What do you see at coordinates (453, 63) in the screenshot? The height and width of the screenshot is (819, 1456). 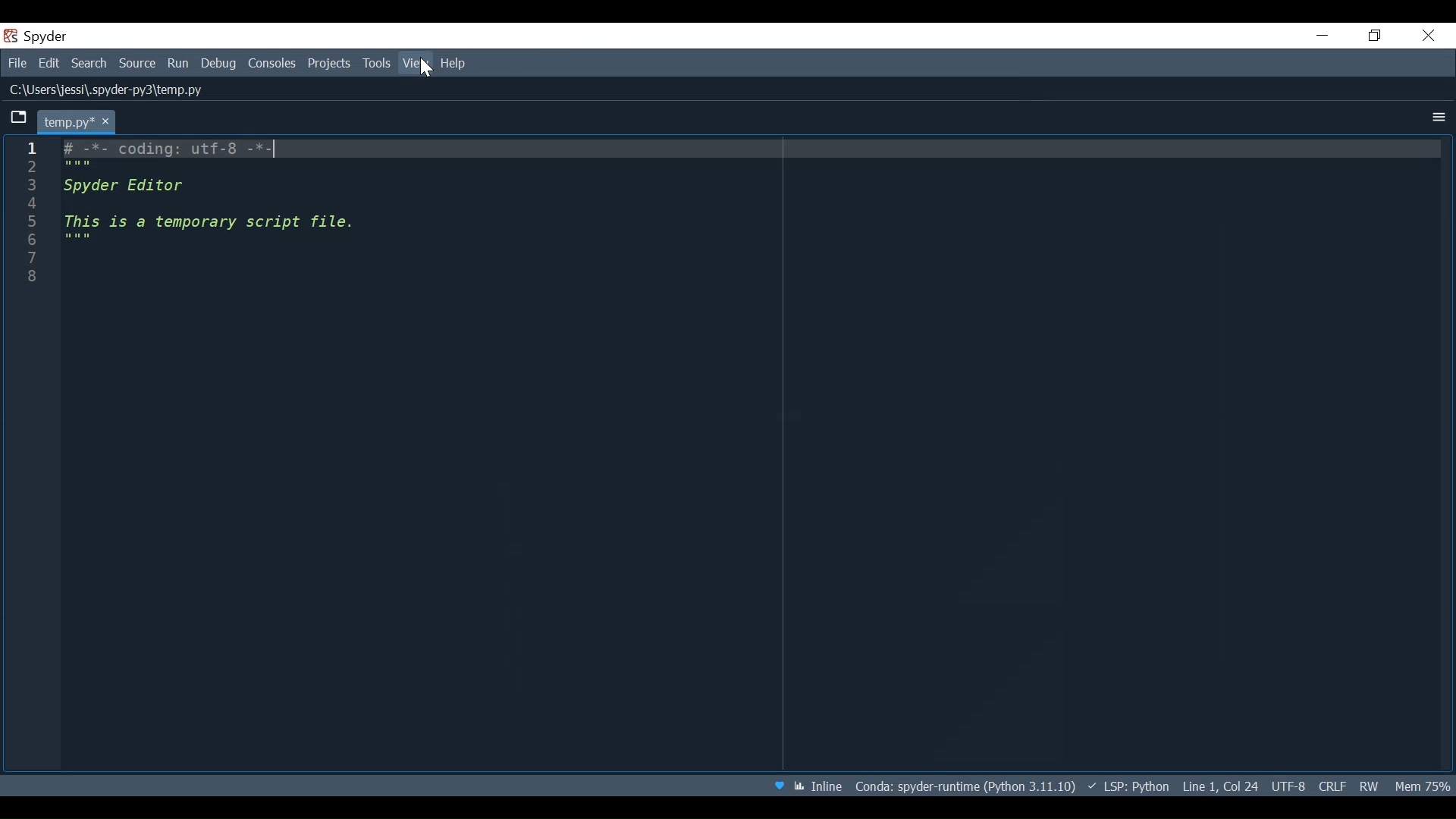 I see `Help` at bounding box center [453, 63].